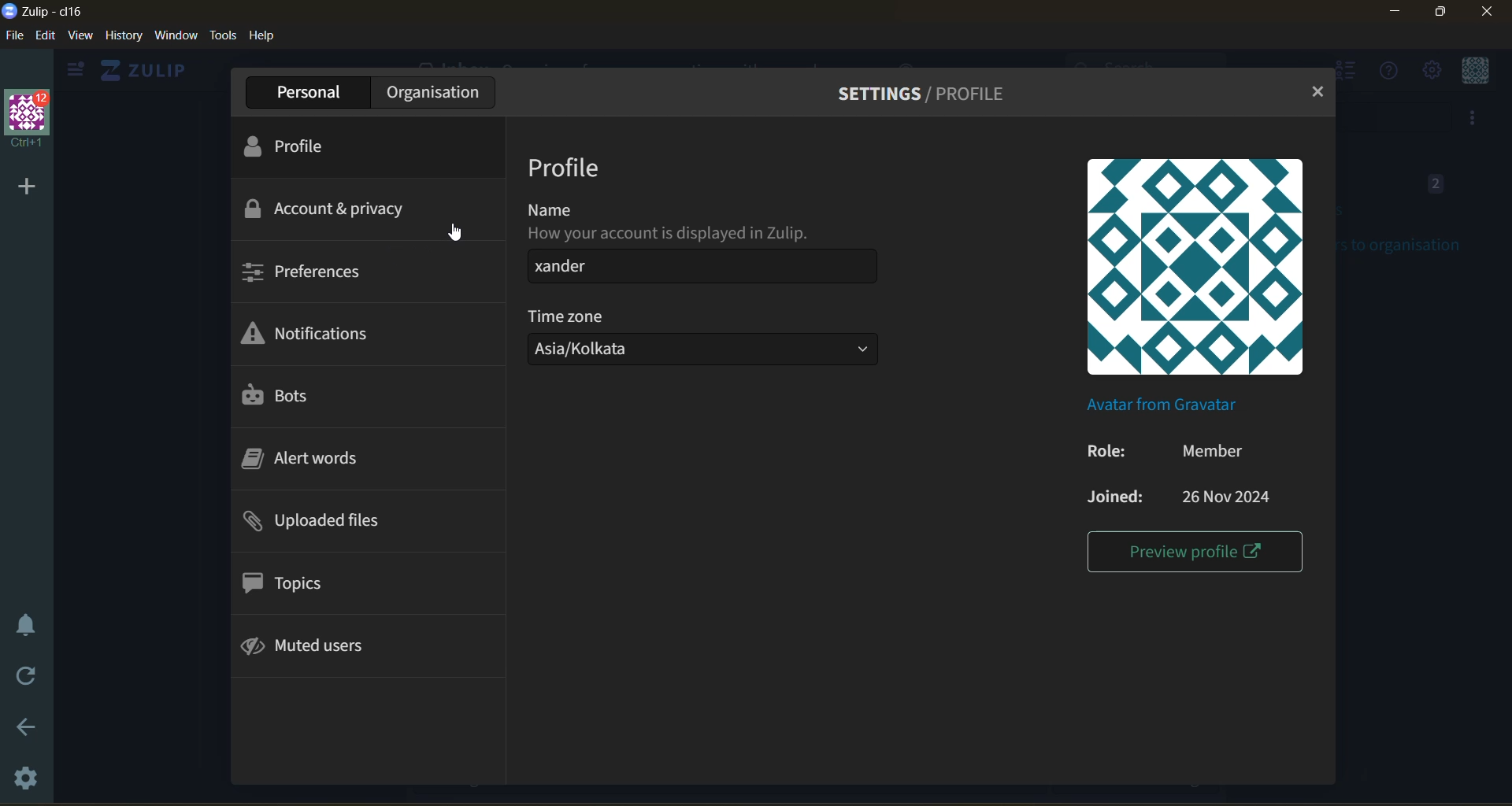 Image resolution: width=1512 pixels, height=806 pixels. Describe the element at coordinates (319, 524) in the screenshot. I see `uploaded files` at that location.